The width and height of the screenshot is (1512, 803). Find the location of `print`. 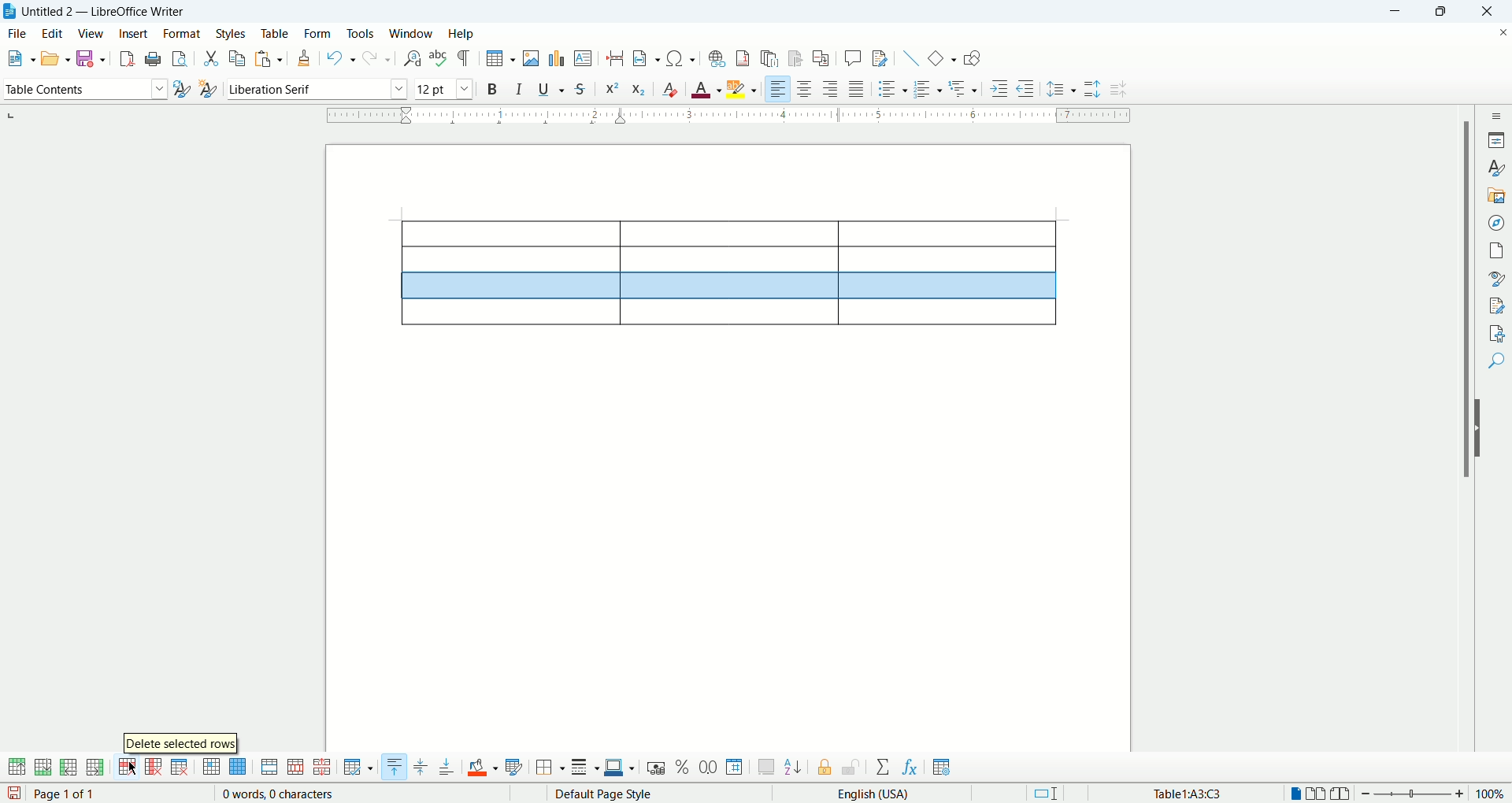

print is located at coordinates (152, 57).